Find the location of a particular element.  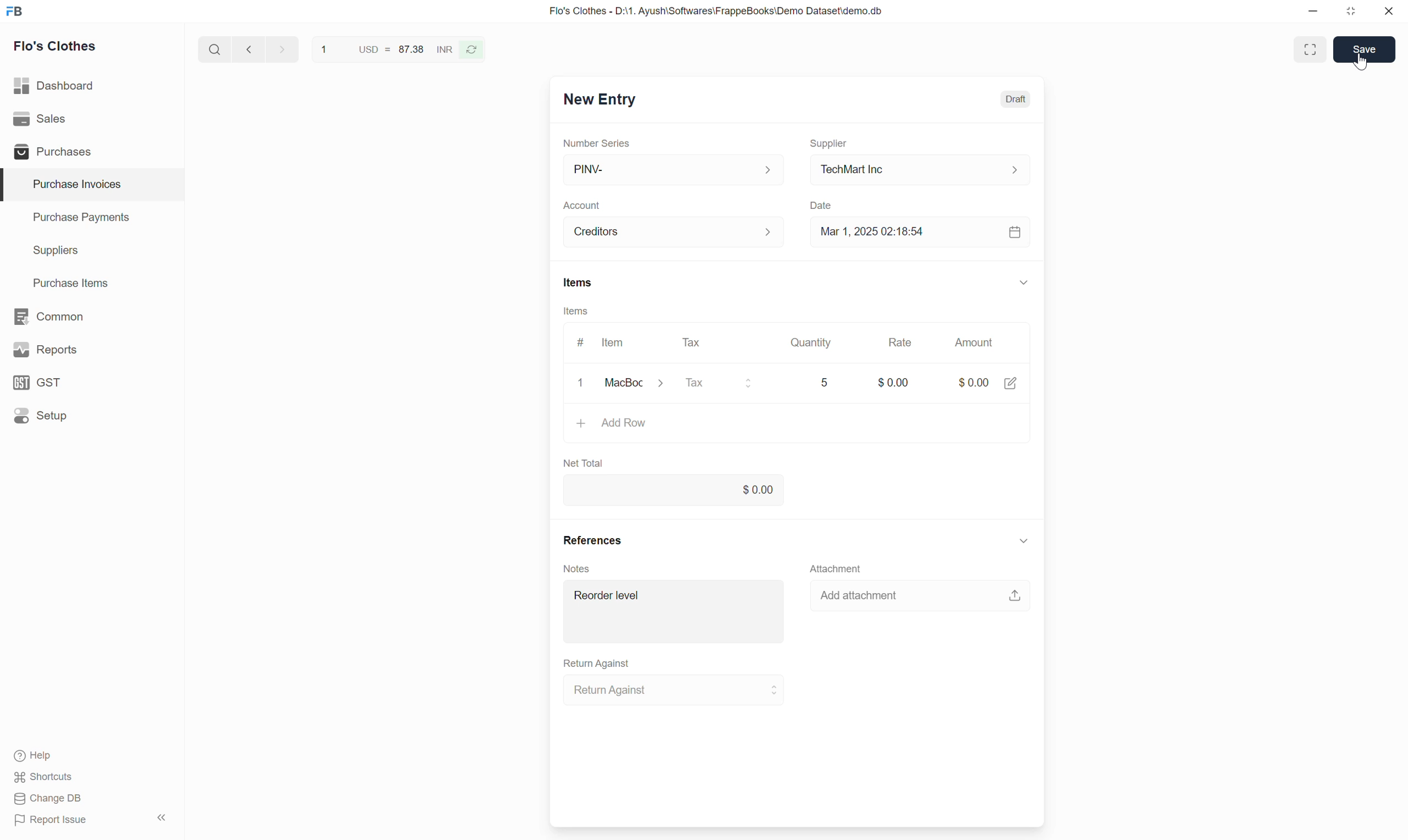

References is located at coordinates (593, 540).